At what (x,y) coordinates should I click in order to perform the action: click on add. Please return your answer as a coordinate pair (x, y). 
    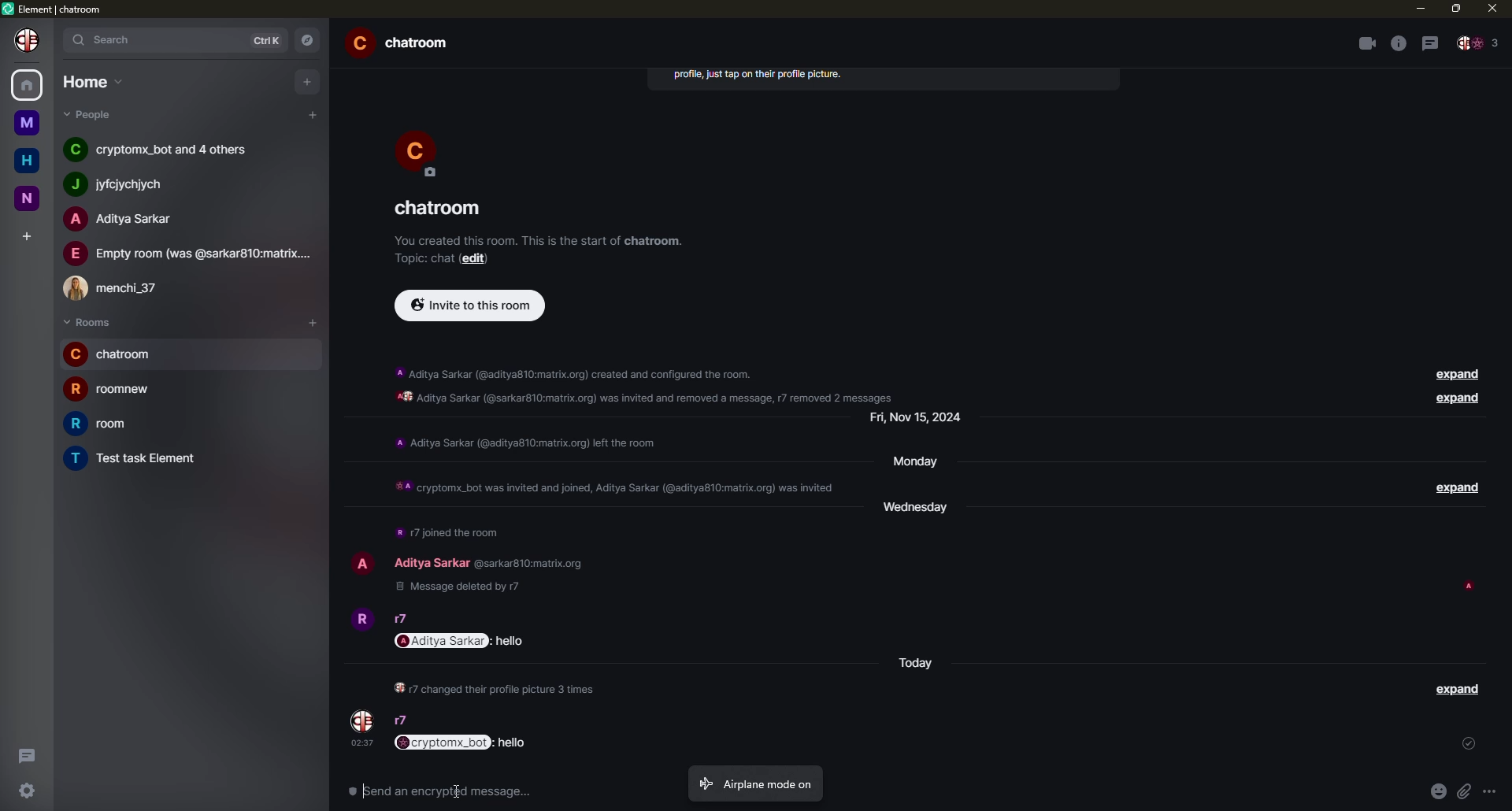
    Looking at the image, I should click on (25, 233).